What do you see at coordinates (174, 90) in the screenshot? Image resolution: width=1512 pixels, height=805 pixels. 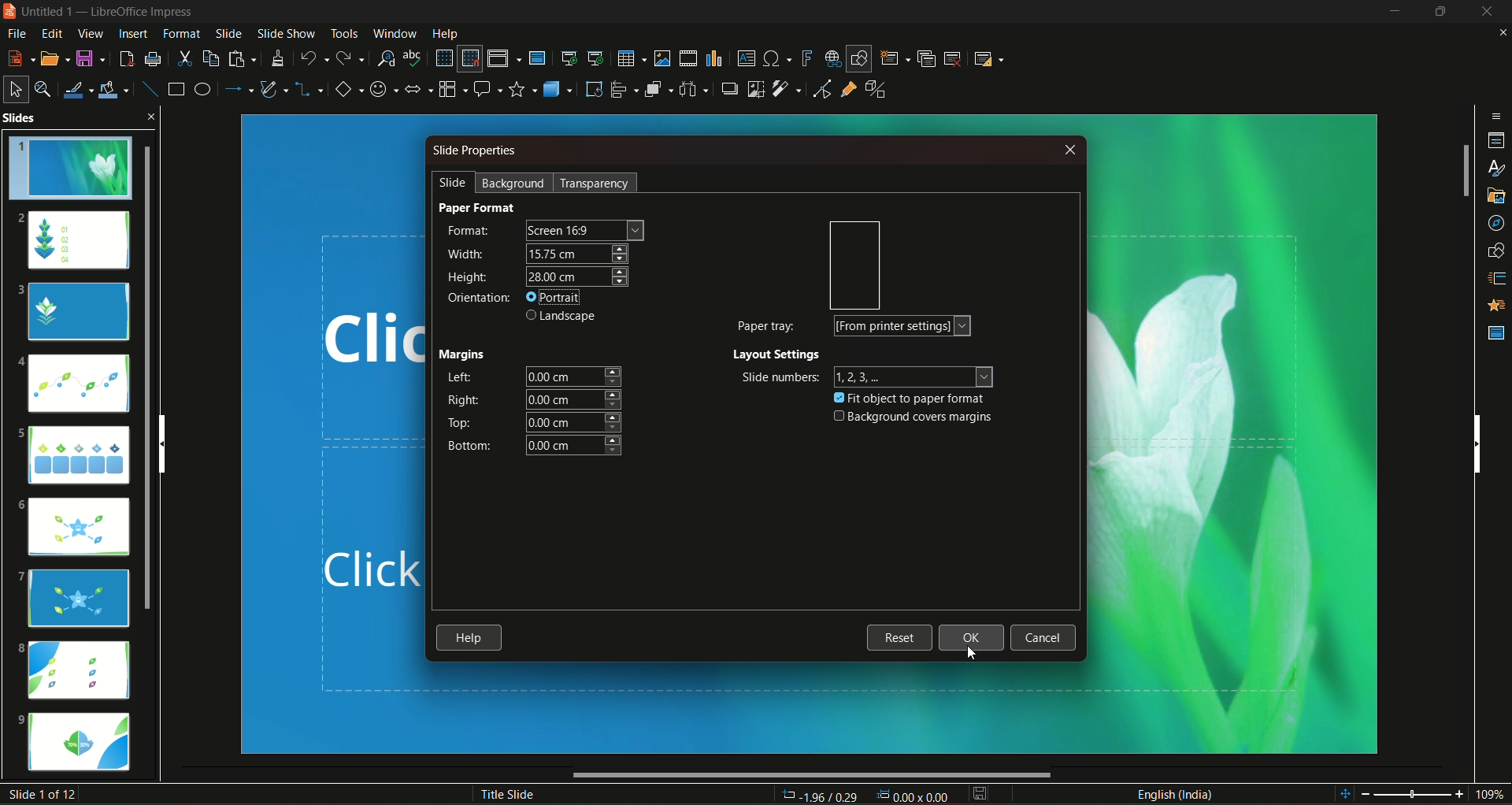 I see `rectangle` at bounding box center [174, 90].